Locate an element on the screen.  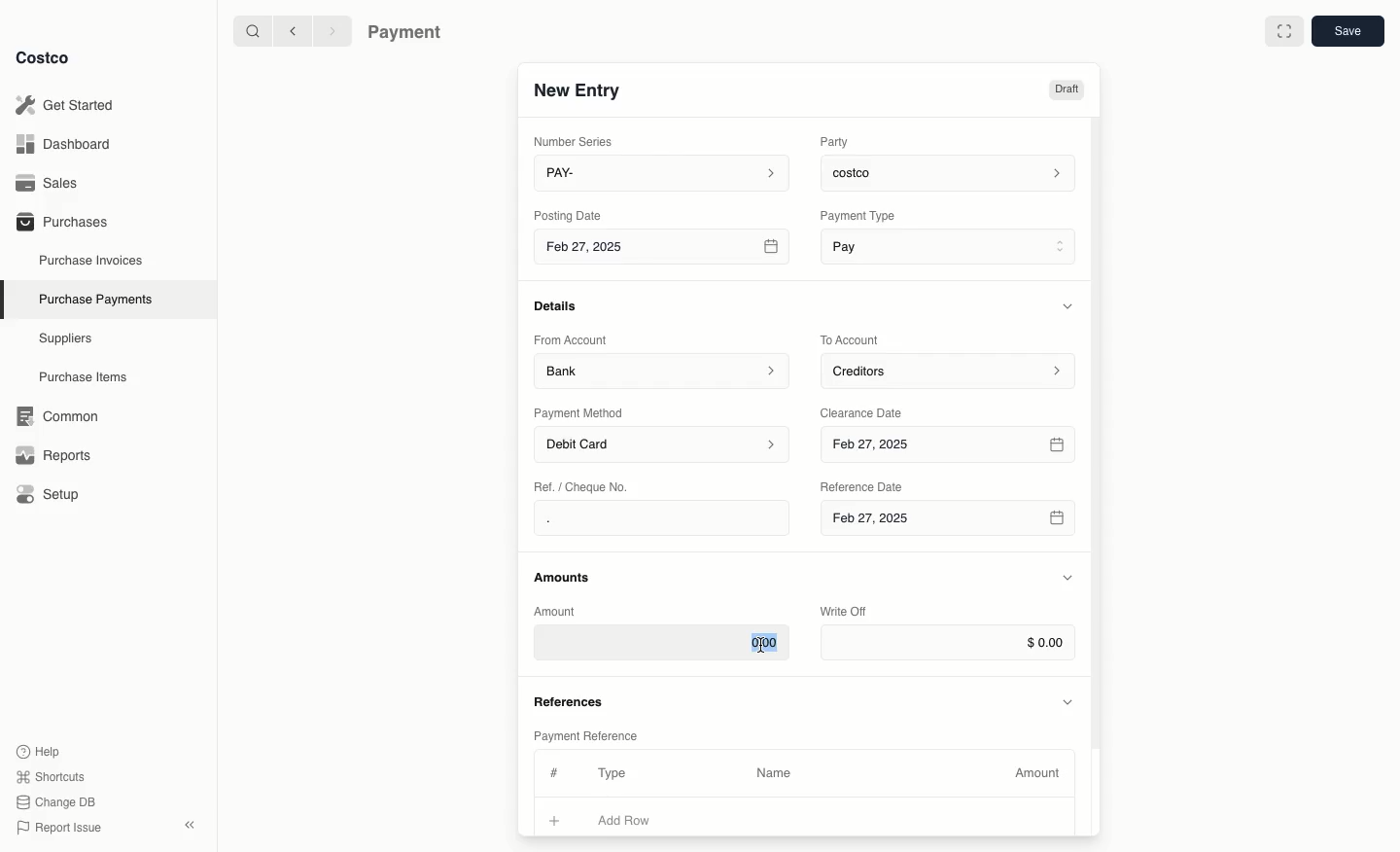
Party is located at coordinates (838, 141).